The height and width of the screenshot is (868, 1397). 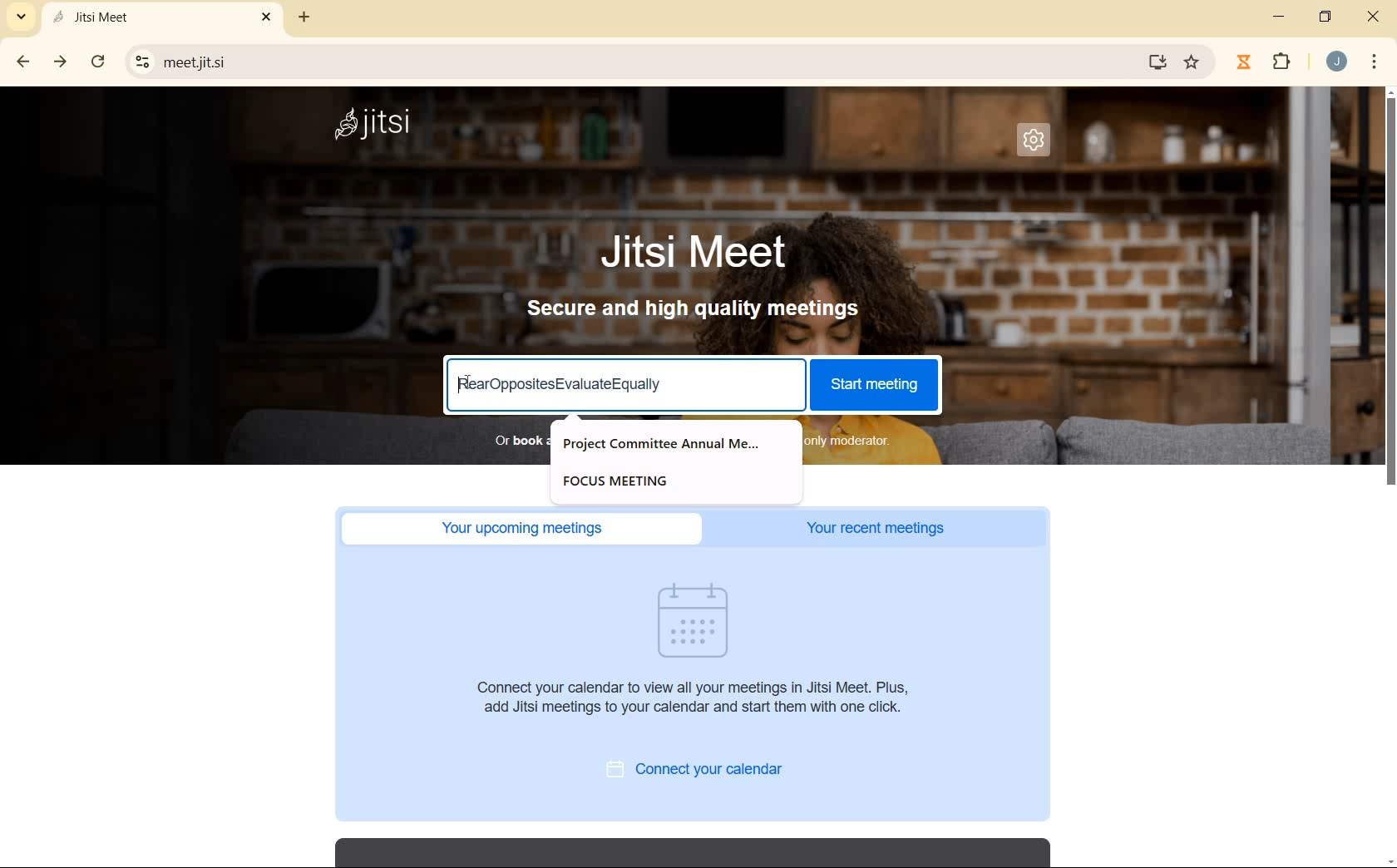 What do you see at coordinates (1041, 145) in the screenshot?
I see `SETTINGS` at bounding box center [1041, 145].